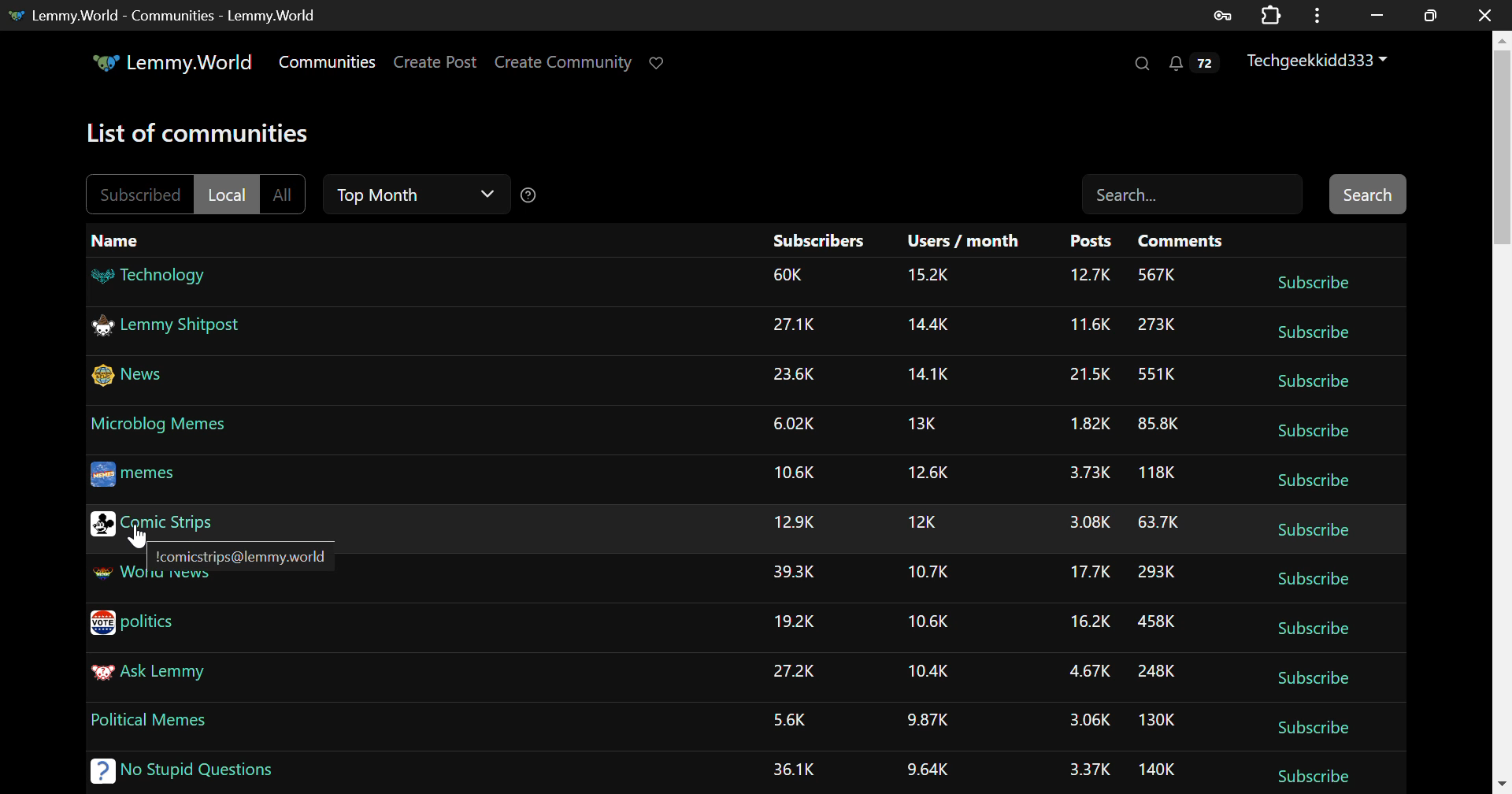  What do you see at coordinates (150, 581) in the screenshot?
I see `World News` at bounding box center [150, 581].